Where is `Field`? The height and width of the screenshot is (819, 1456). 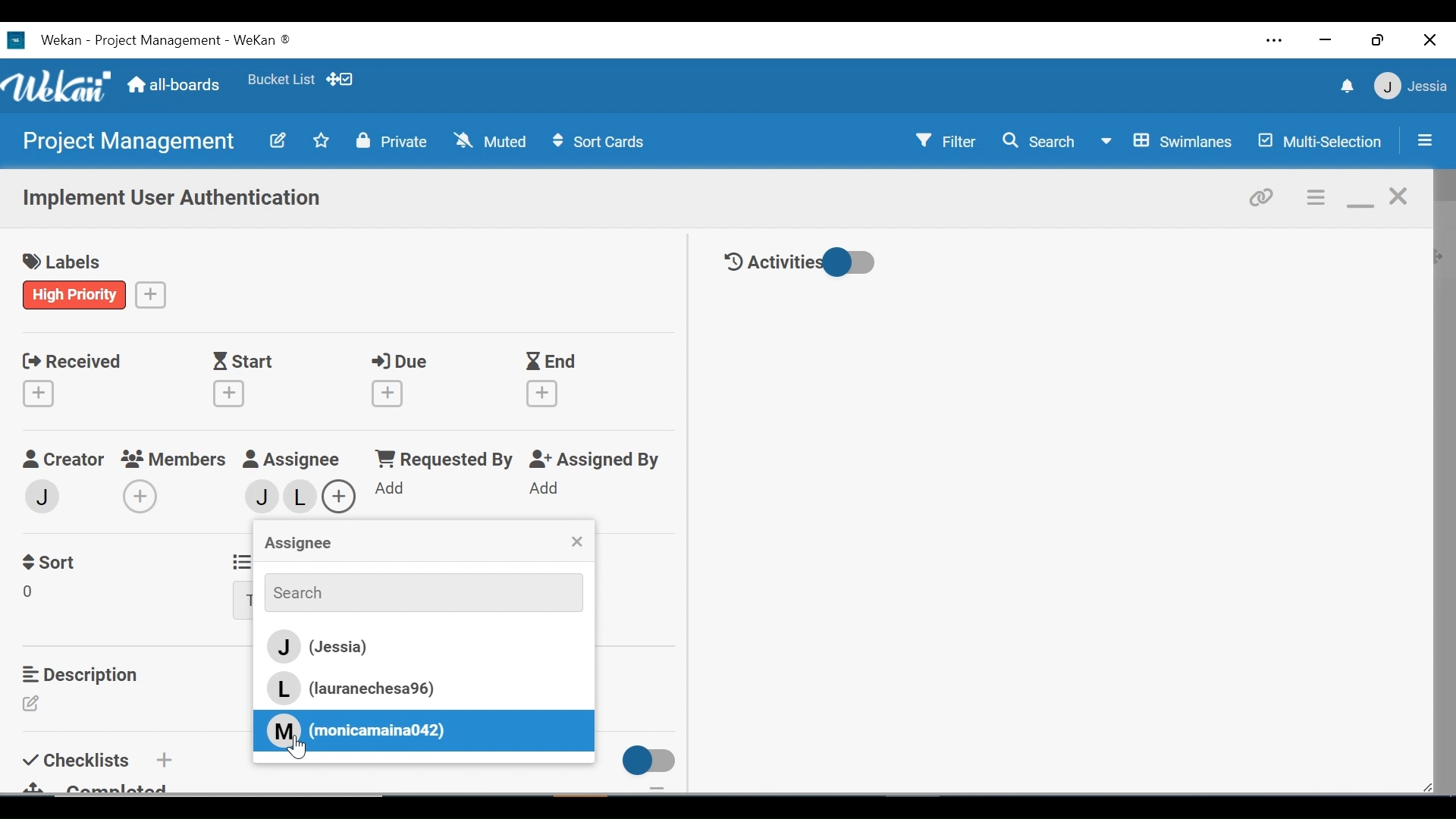
Field is located at coordinates (33, 594).